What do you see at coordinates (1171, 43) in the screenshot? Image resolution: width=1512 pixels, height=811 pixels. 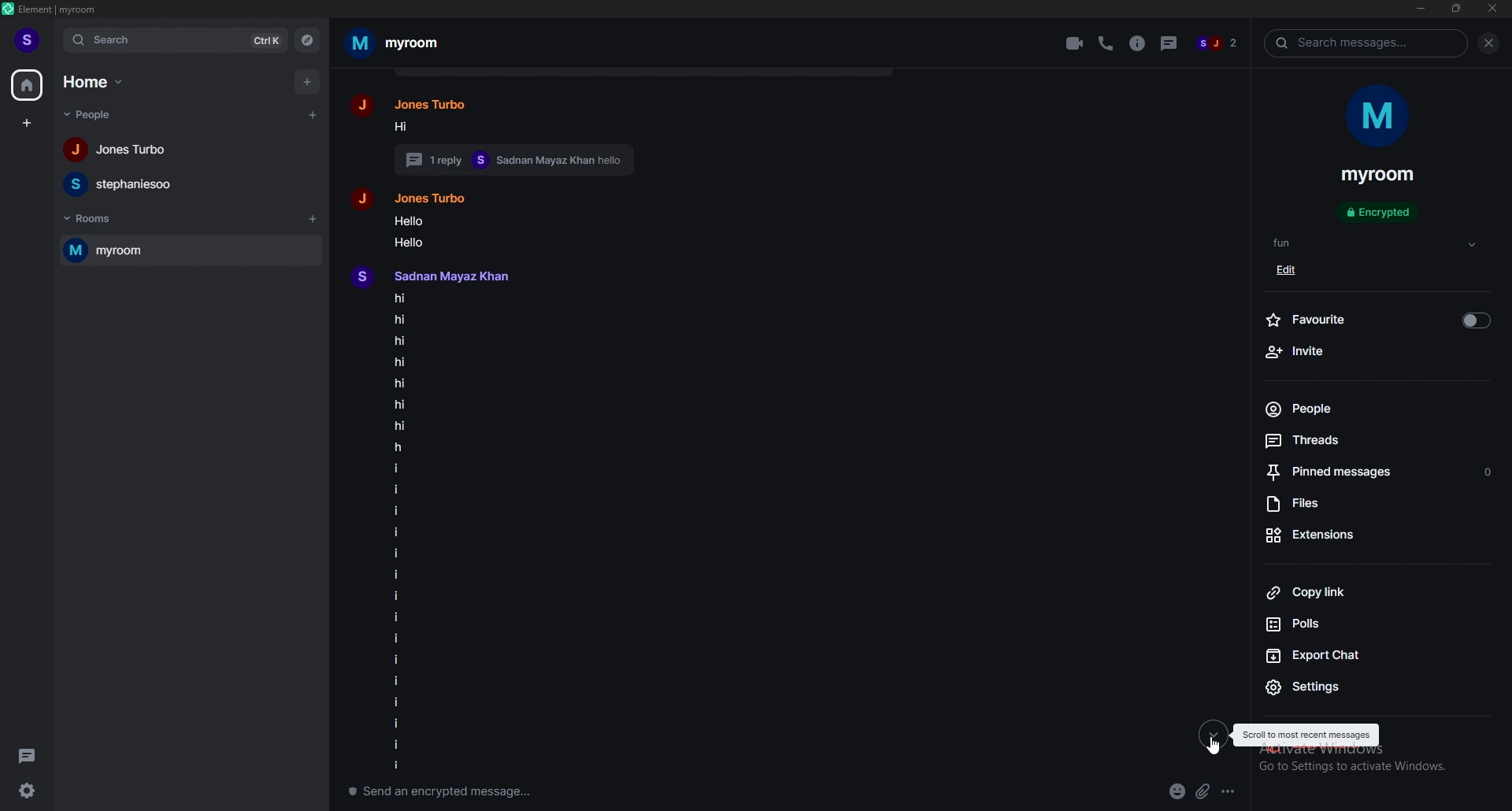 I see `threads` at bounding box center [1171, 43].